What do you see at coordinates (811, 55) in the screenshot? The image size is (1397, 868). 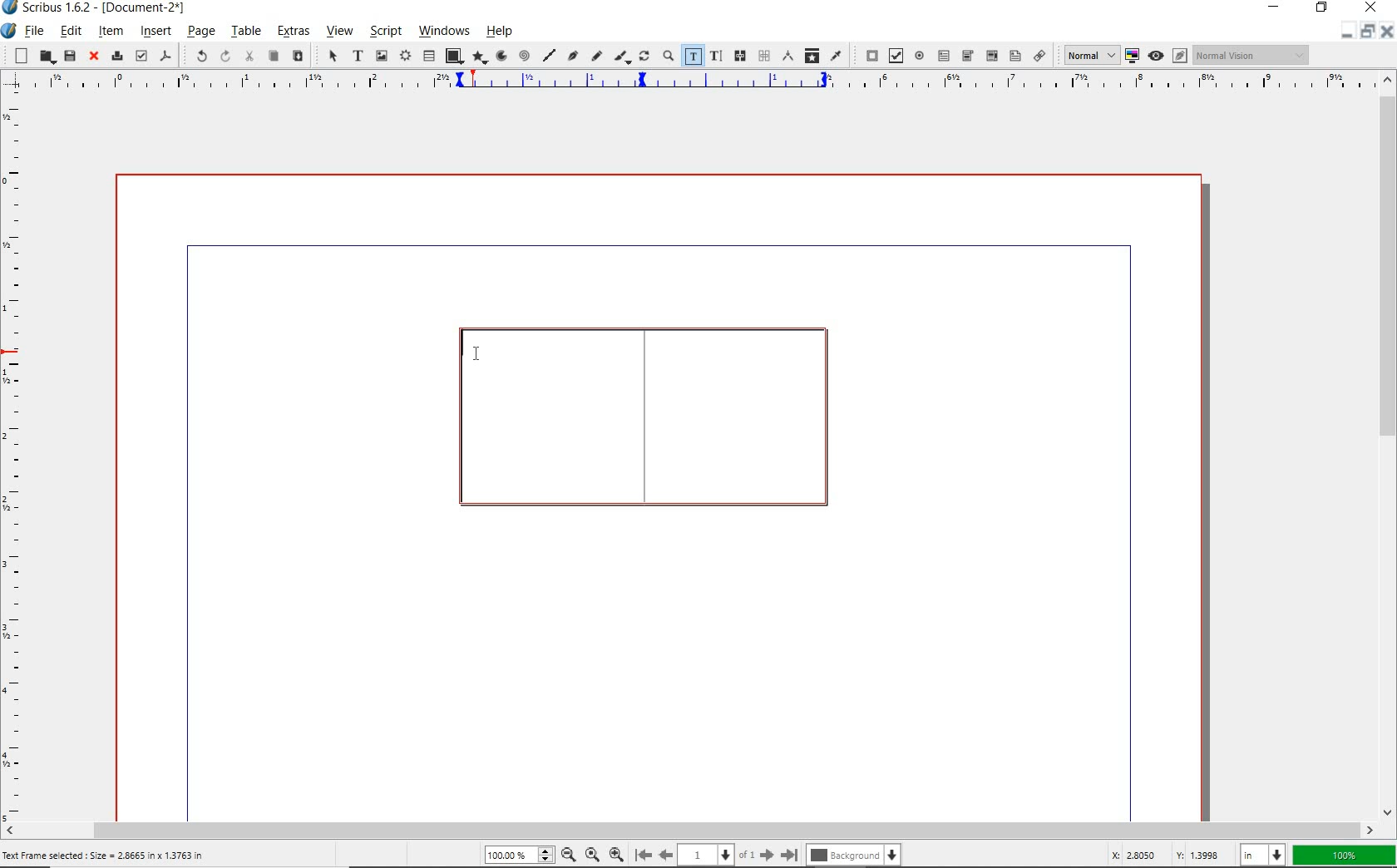 I see `copy item properties` at bounding box center [811, 55].